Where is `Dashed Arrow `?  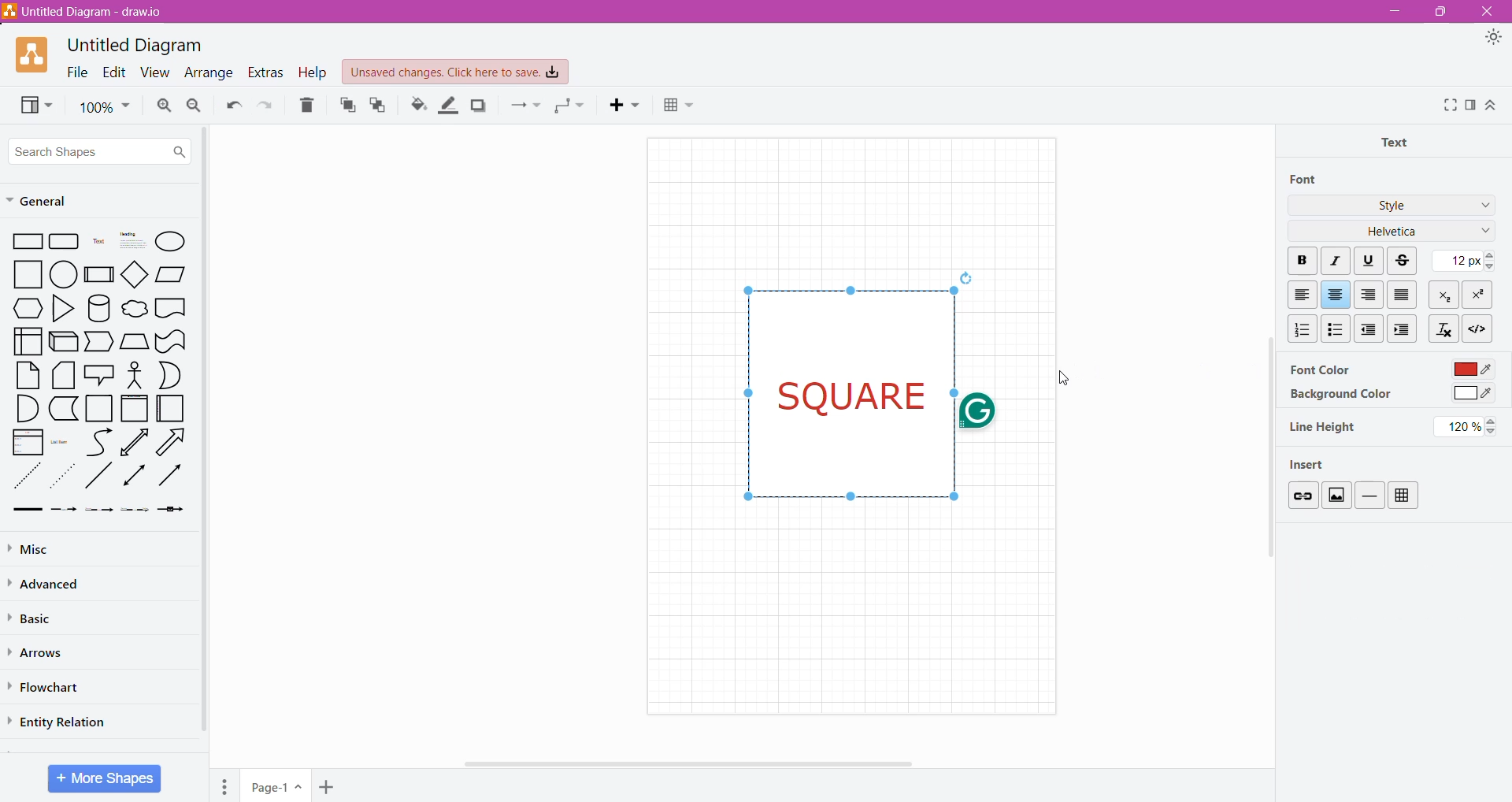
Dashed Arrow  is located at coordinates (63, 508).